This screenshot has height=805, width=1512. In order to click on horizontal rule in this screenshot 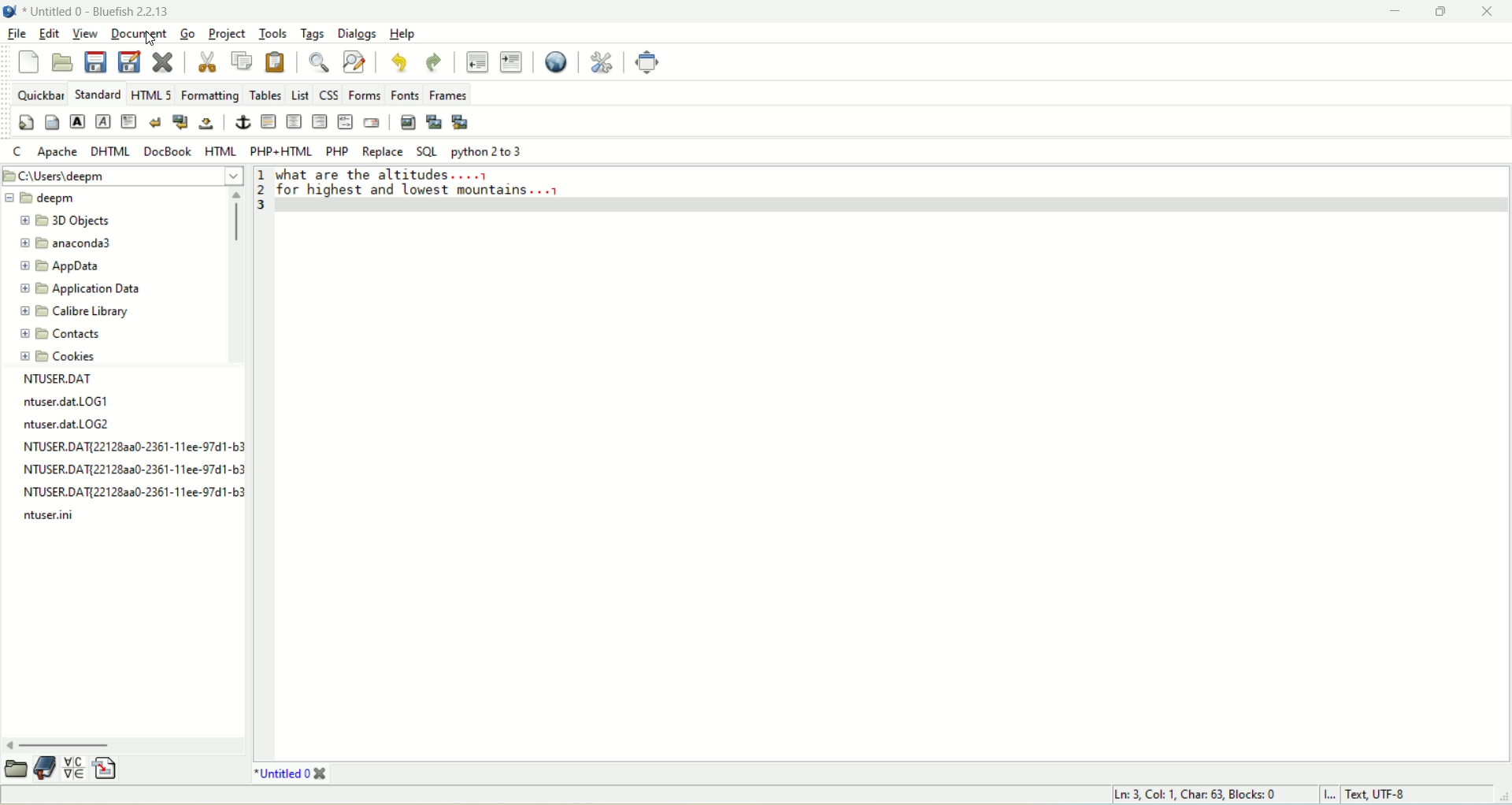, I will do `click(269, 122)`.